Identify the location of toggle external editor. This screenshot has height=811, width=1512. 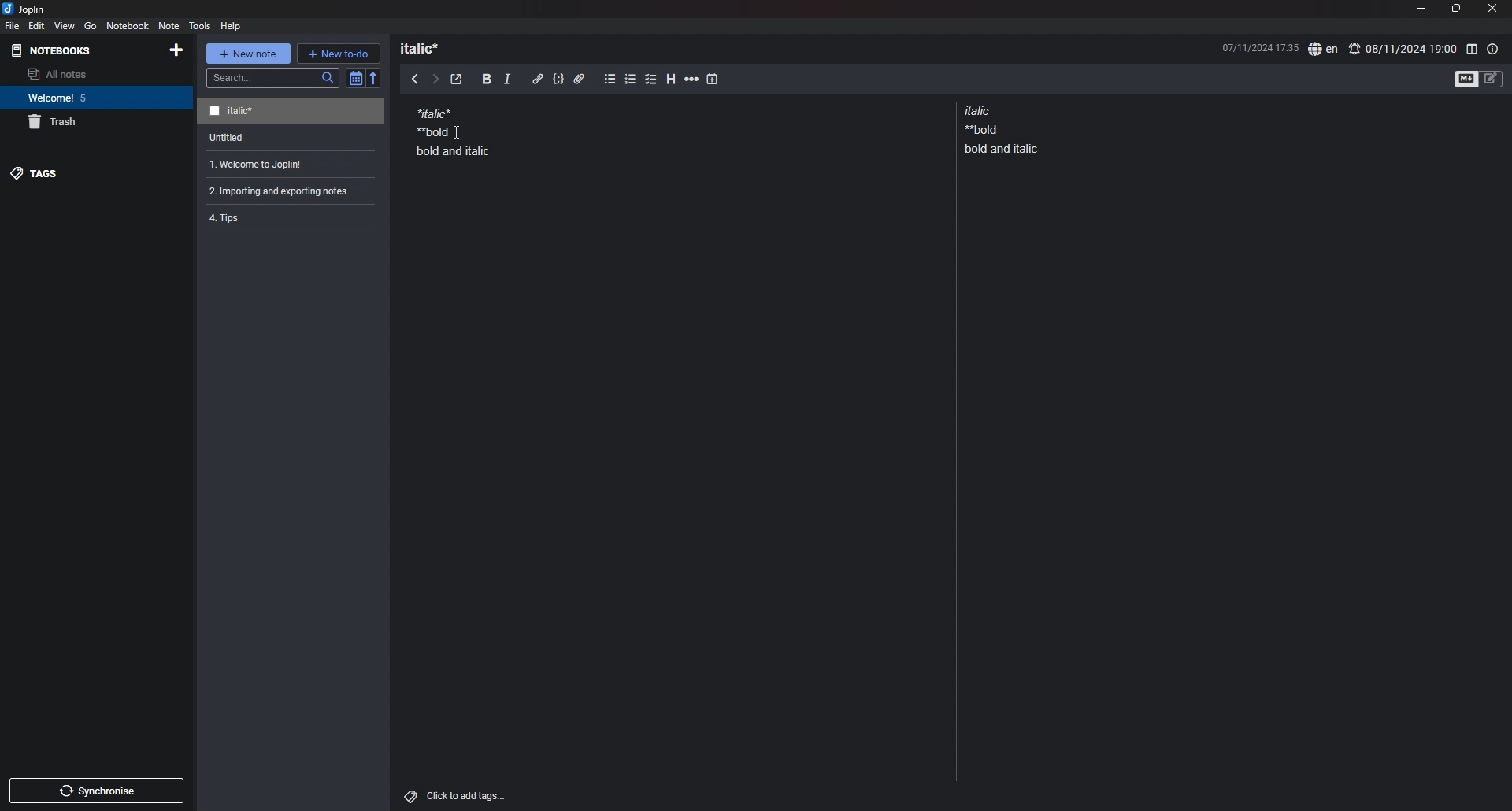
(457, 80).